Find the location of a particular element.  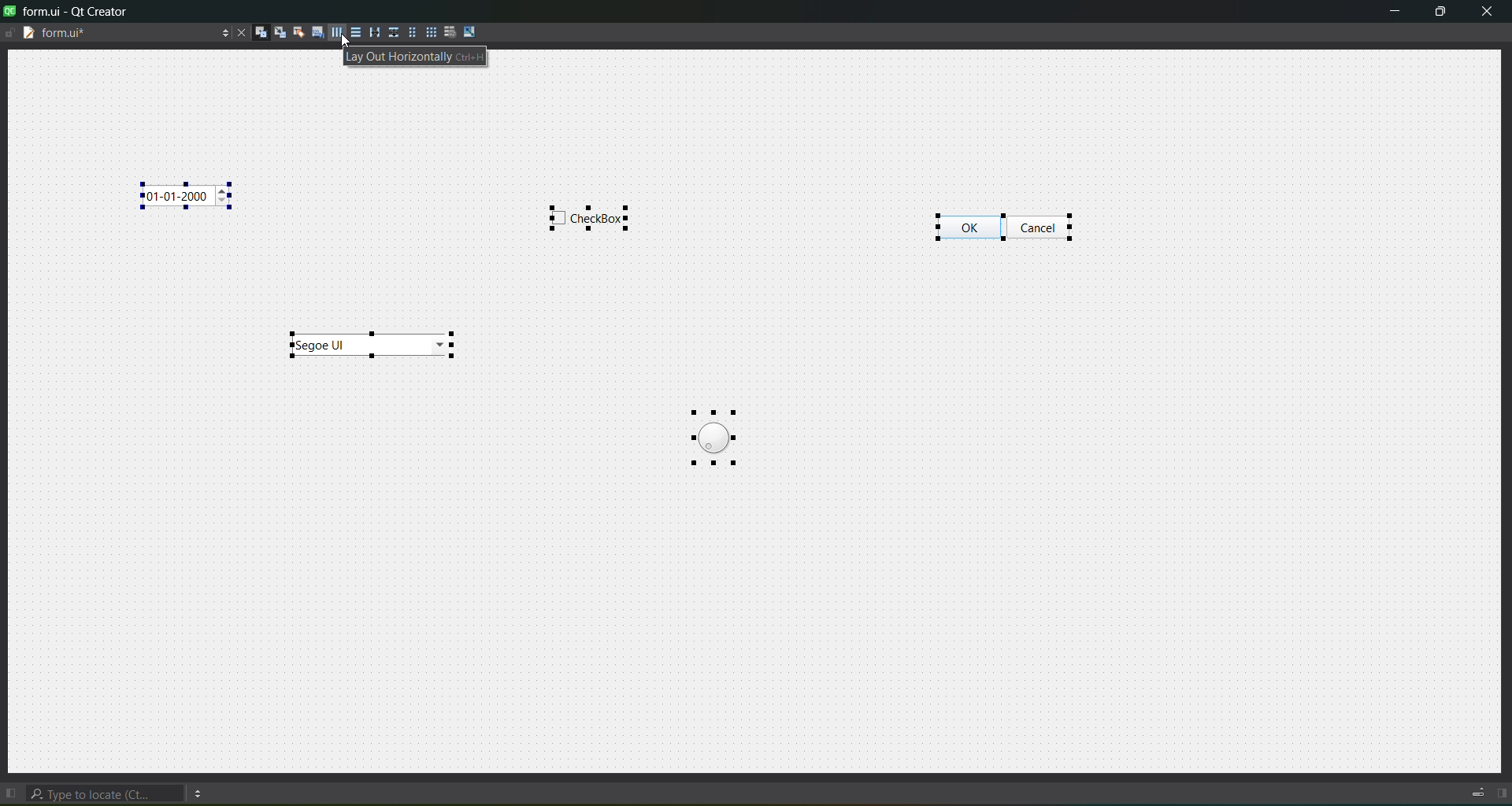

horizontal splitter is located at coordinates (373, 32).